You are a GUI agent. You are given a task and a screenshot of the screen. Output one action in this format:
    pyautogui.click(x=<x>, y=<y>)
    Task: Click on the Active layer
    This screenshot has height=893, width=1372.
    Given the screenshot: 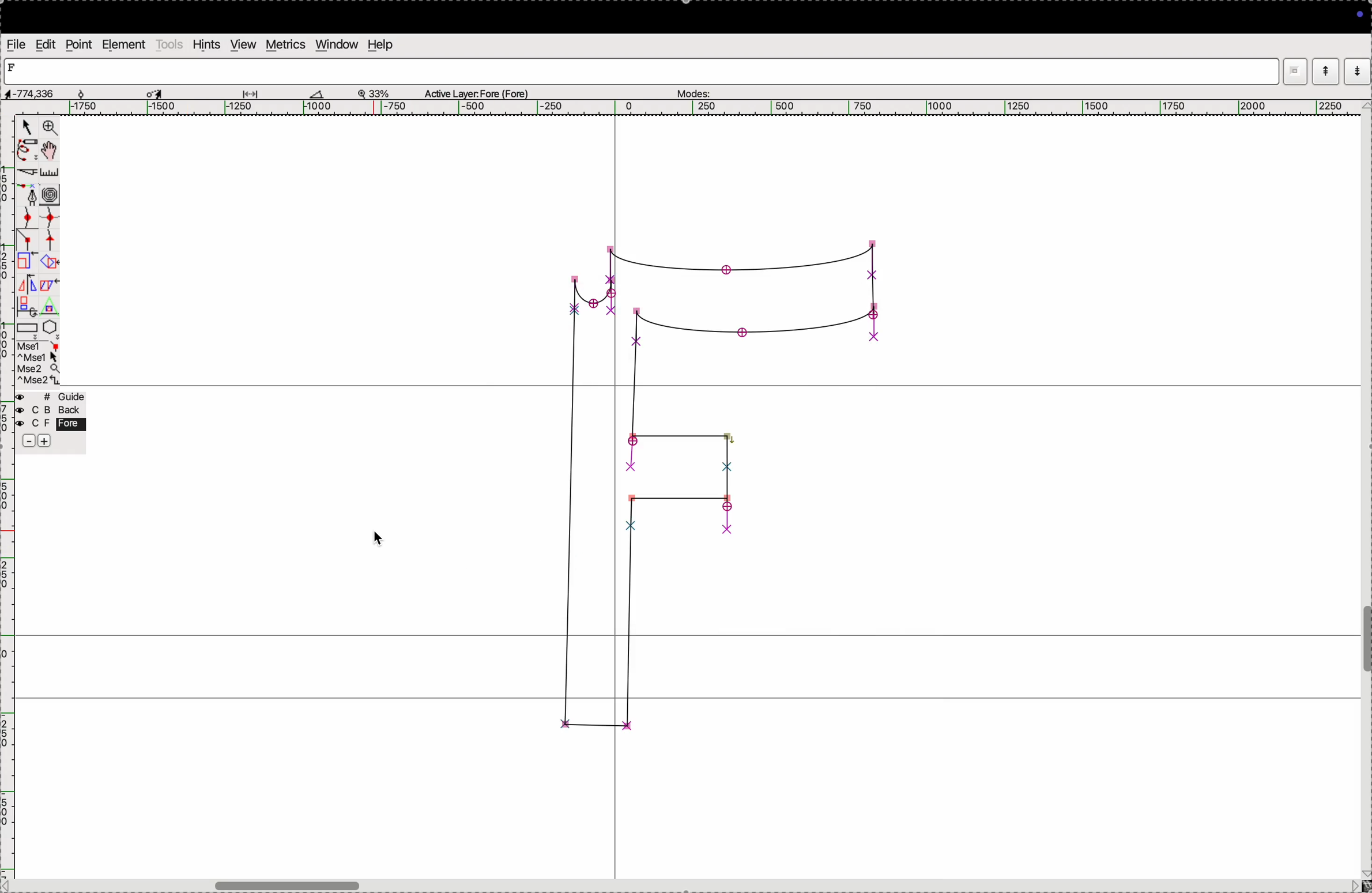 What is the action you would take?
    pyautogui.click(x=477, y=92)
    